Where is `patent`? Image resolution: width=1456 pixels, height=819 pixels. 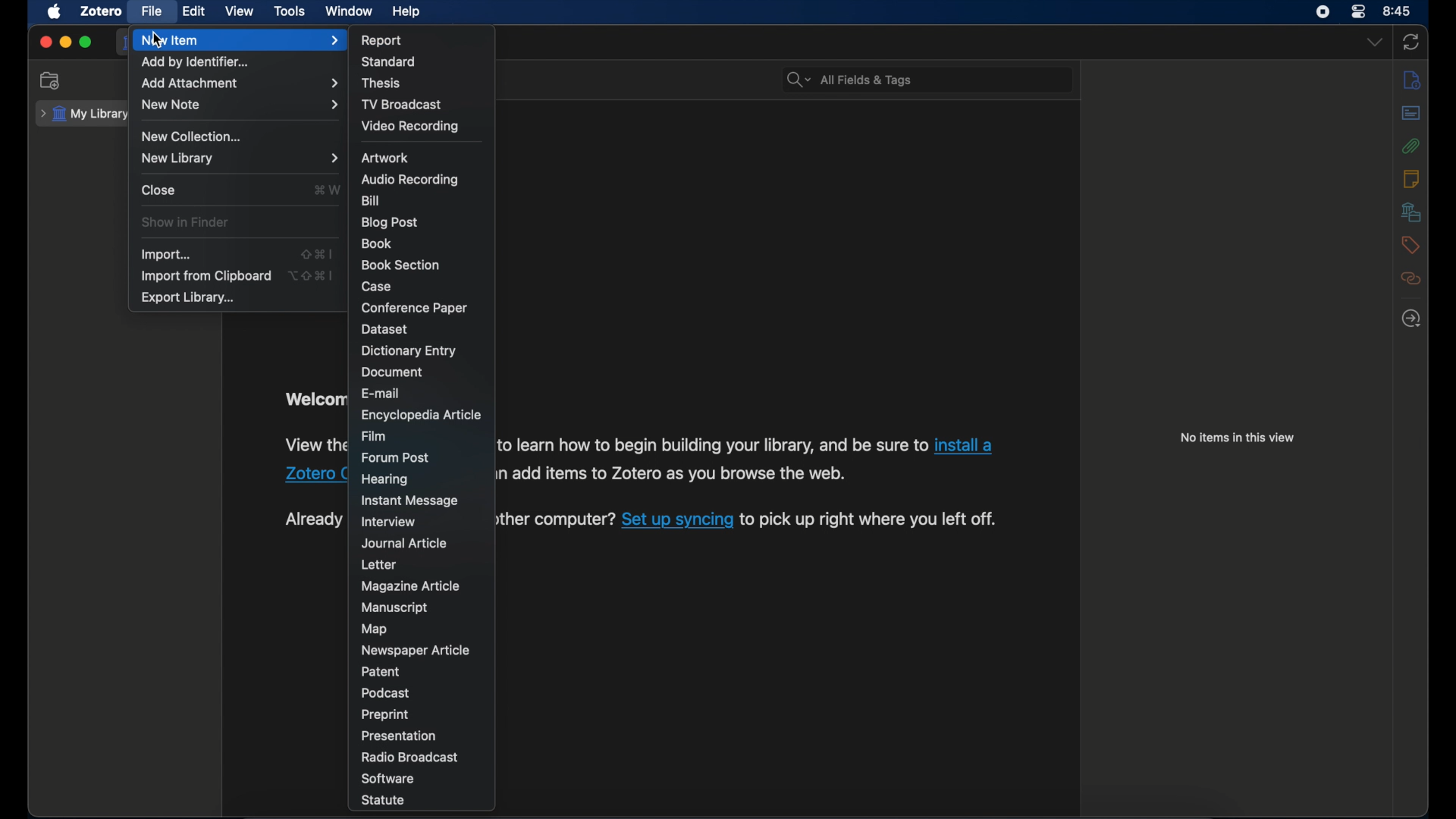 patent is located at coordinates (382, 670).